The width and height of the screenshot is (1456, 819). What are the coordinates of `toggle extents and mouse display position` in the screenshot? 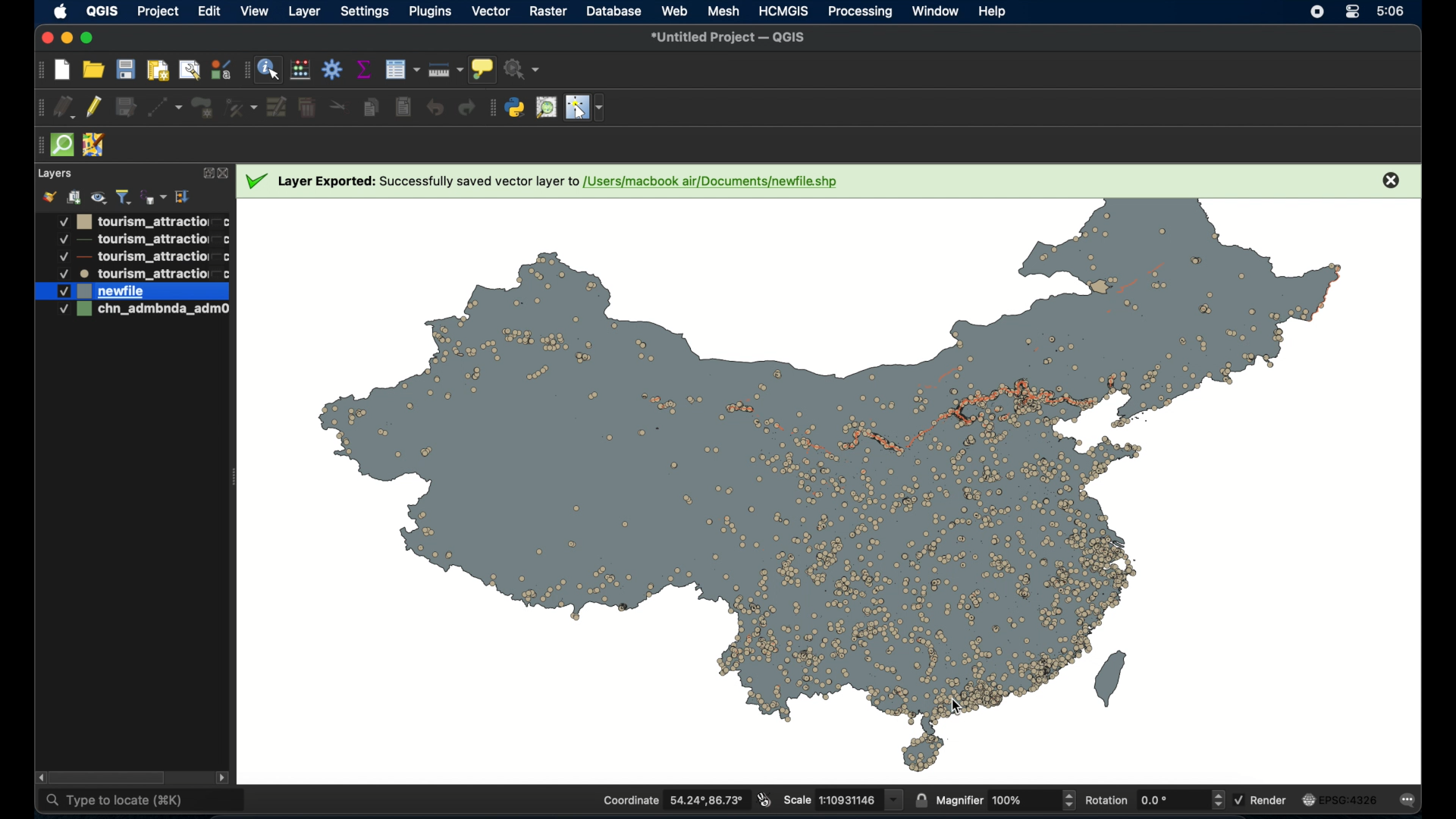 It's located at (765, 801).